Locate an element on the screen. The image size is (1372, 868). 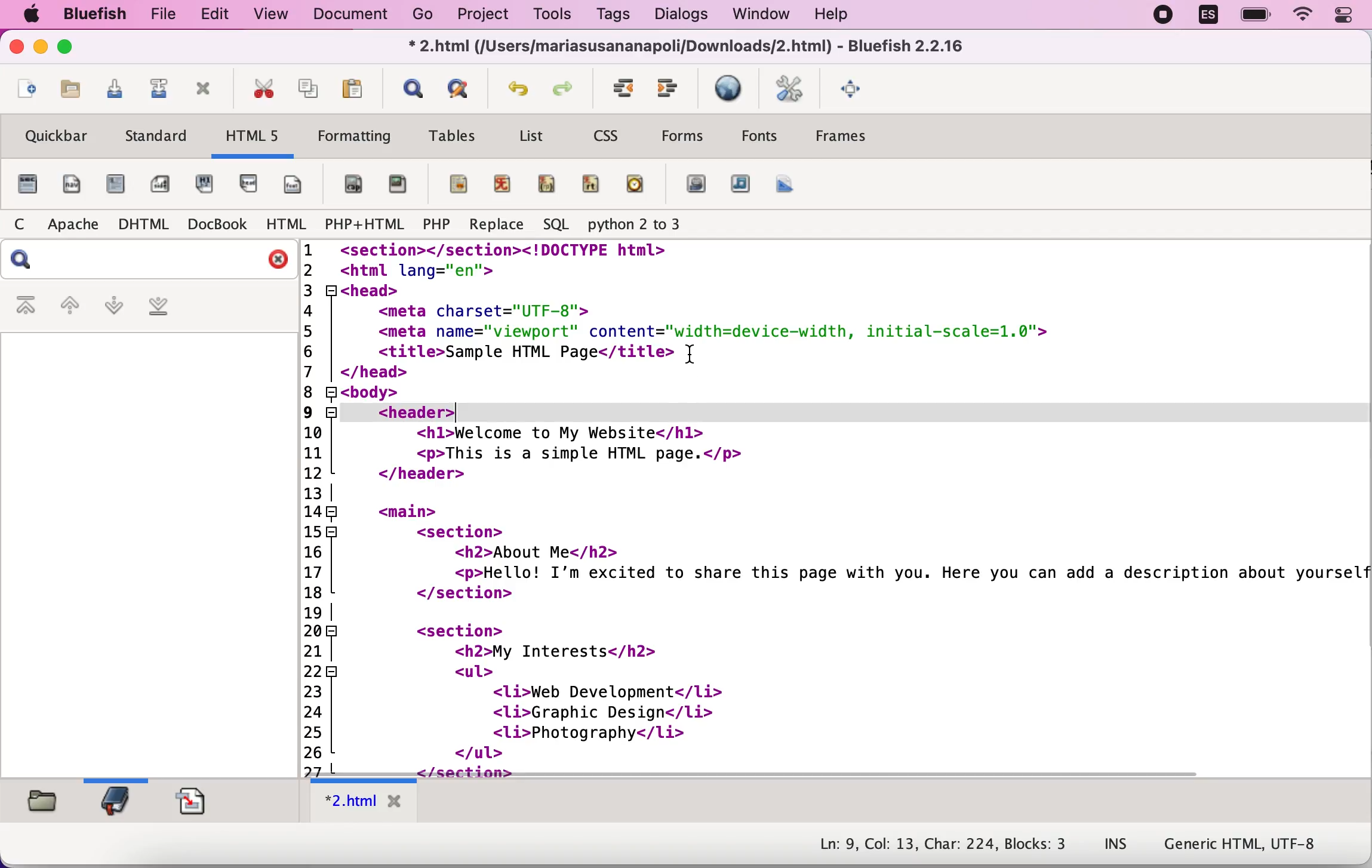
recording stopped is located at coordinates (1161, 18).